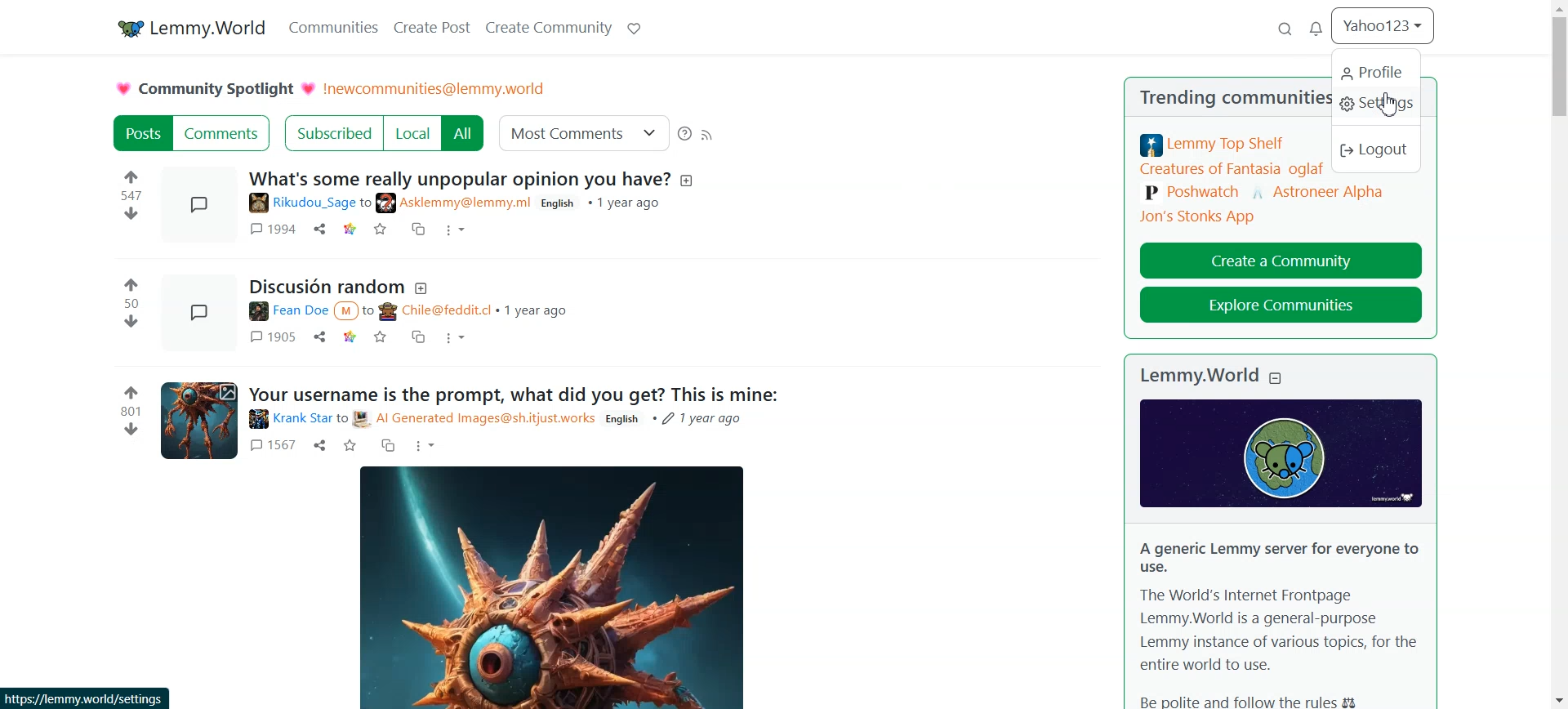  I want to click on lemmy top shelf, so click(1214, 145).